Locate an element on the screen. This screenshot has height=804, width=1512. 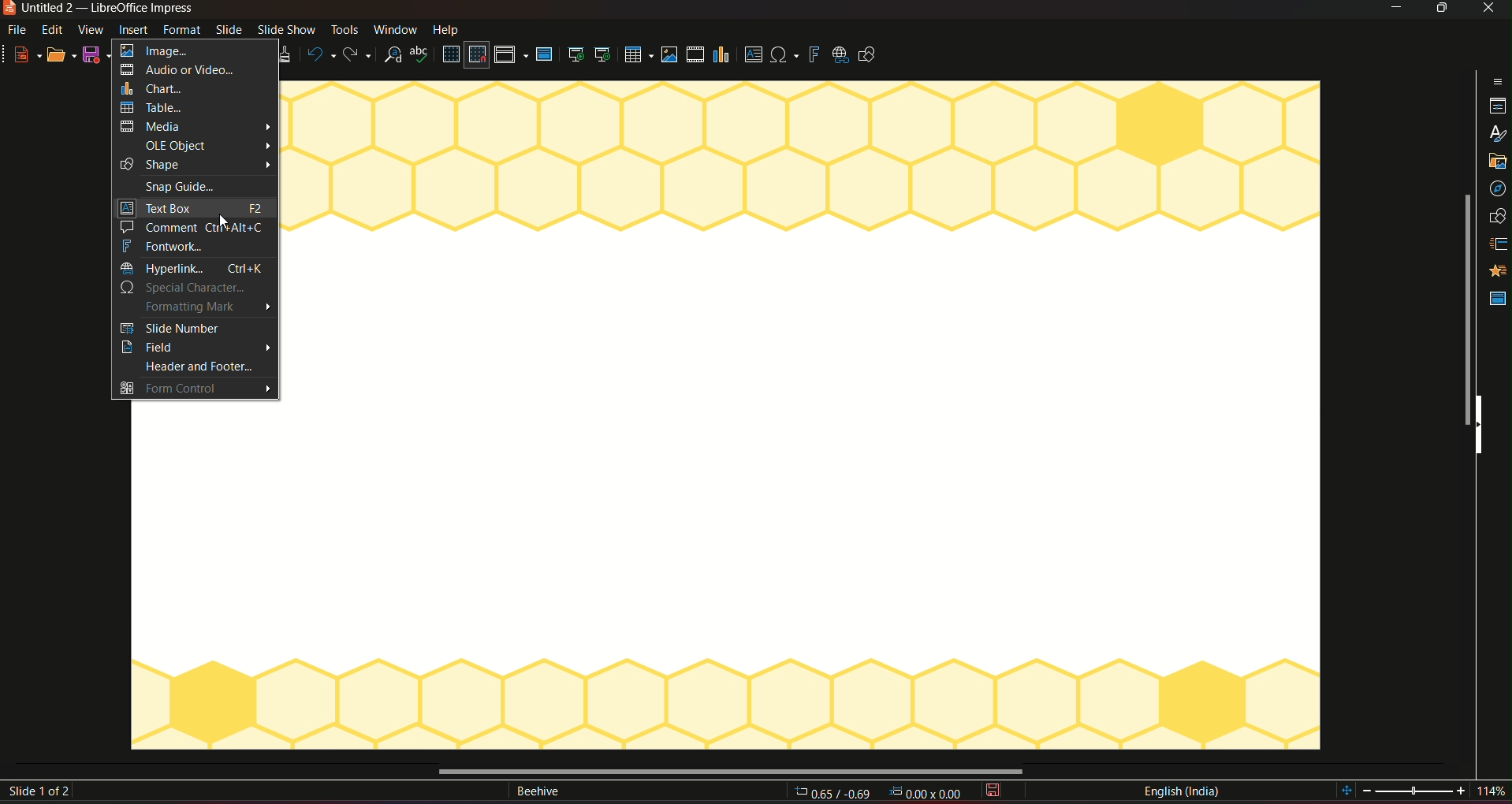
chart is located at coordinates (194, 88).